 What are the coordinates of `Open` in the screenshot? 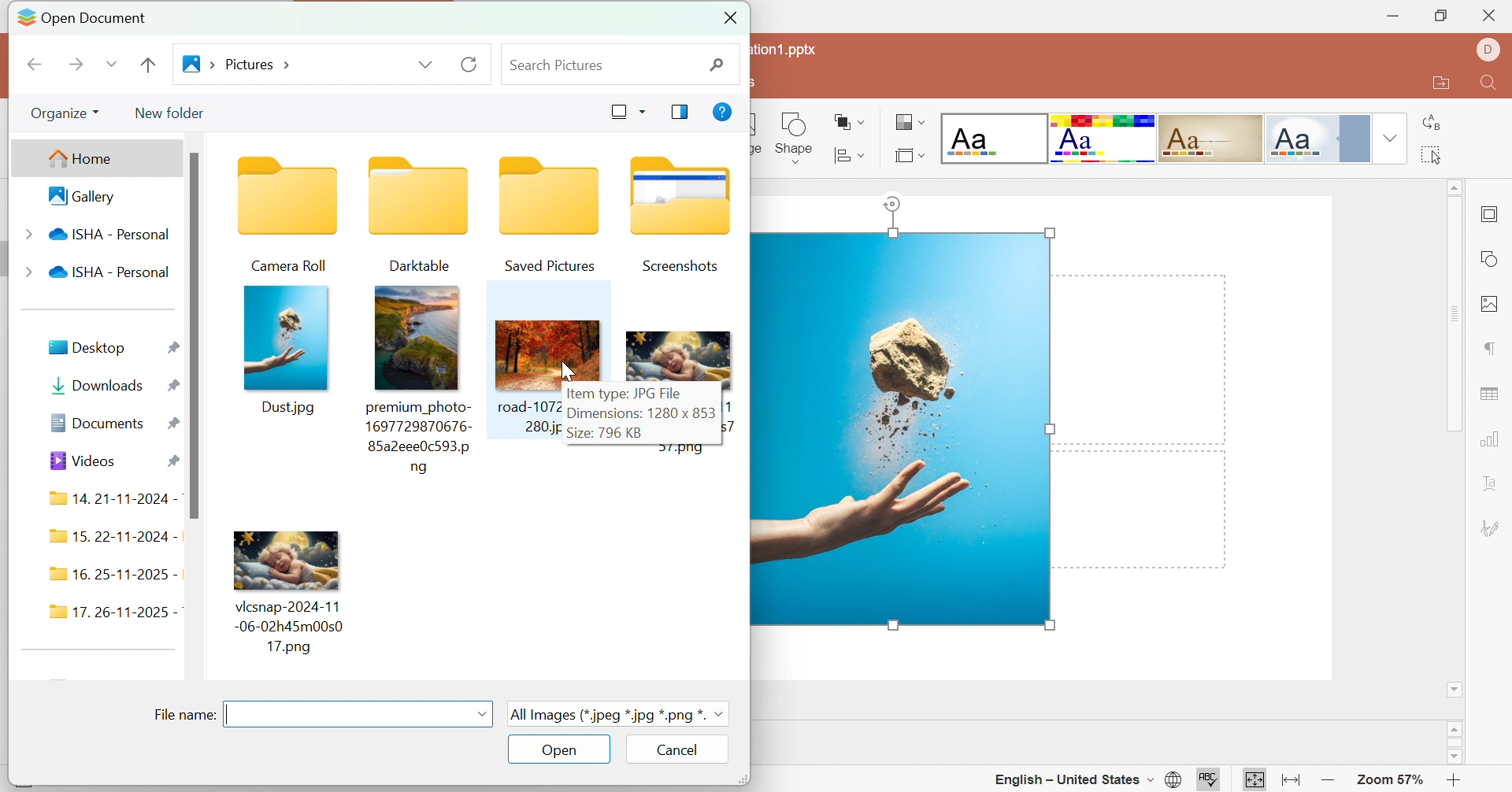 It's located at (560, 749).